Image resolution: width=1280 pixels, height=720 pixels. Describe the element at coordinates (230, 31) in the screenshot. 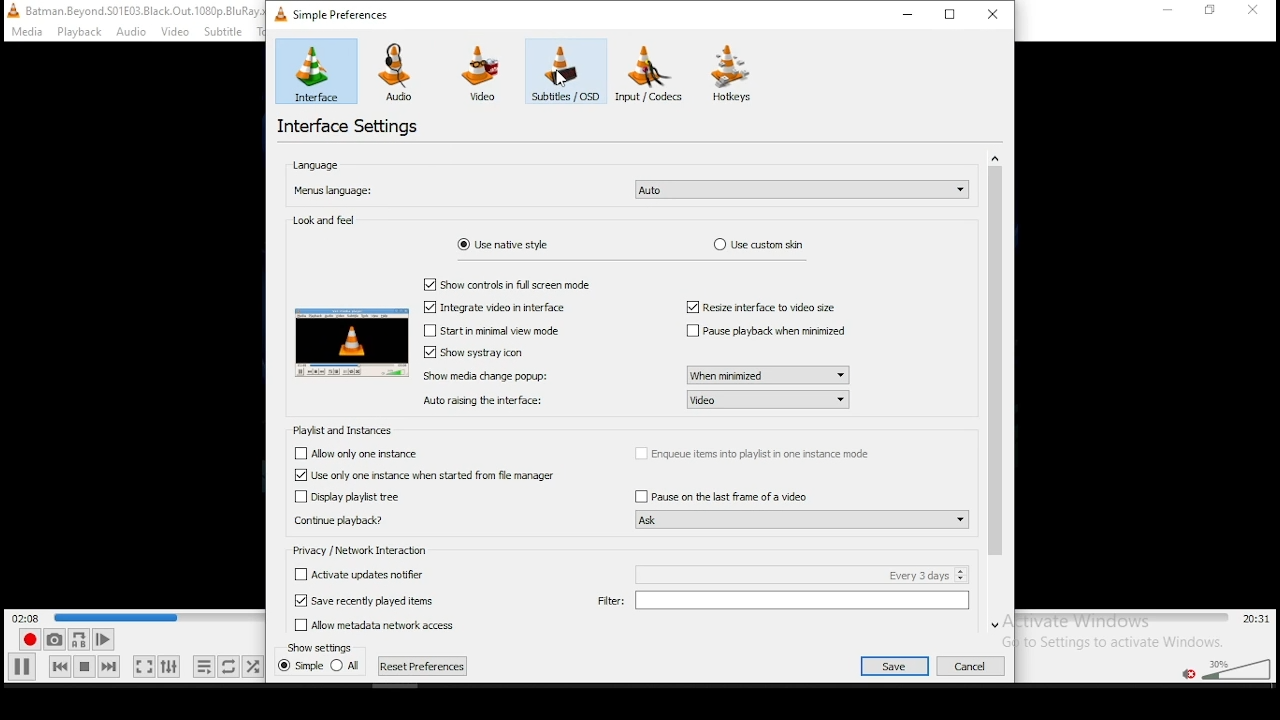

I see `` at that location.